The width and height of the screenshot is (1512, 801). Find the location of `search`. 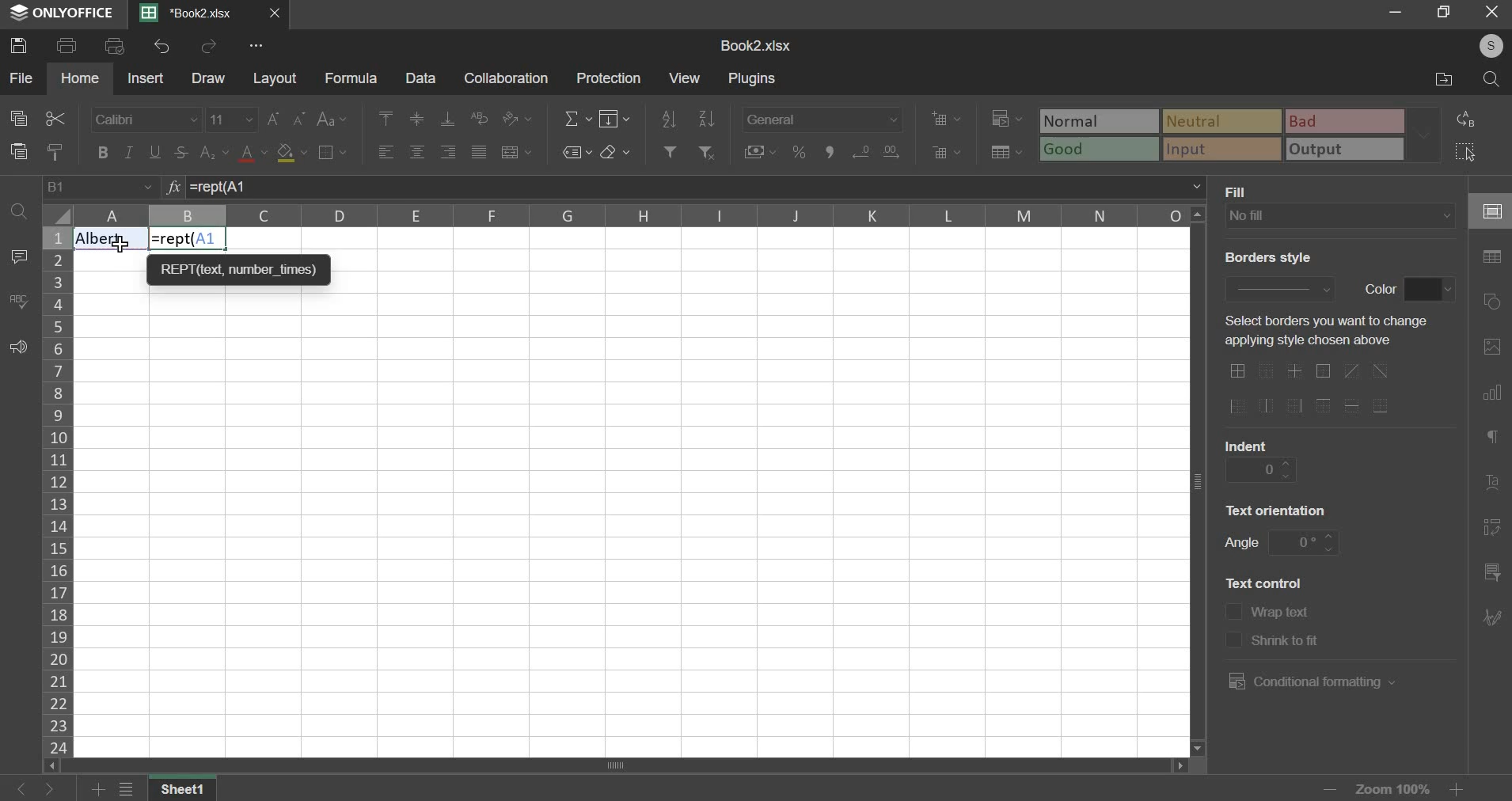

search is located at coordinates (1487, 78).